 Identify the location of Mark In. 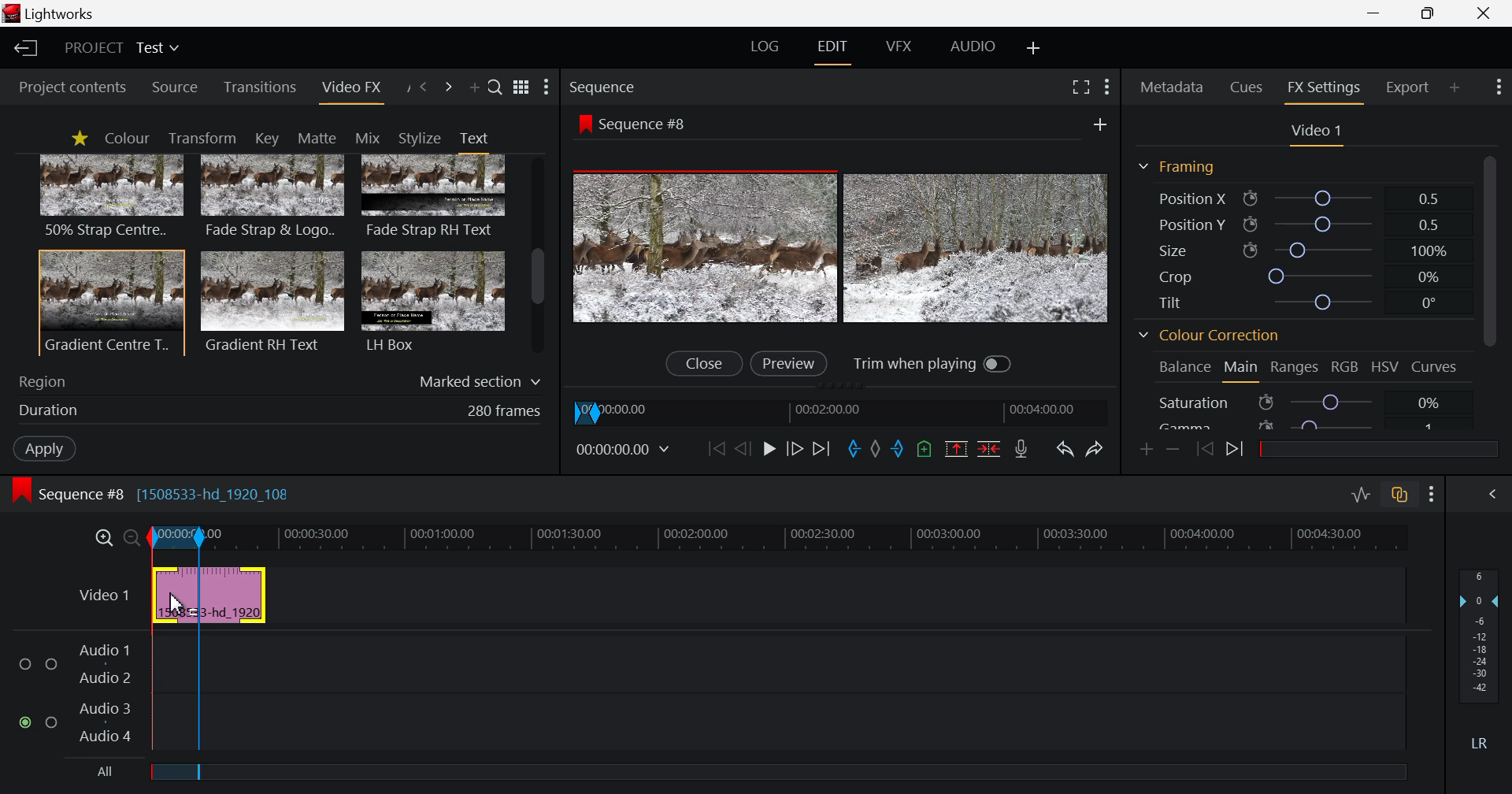
(851, 447).